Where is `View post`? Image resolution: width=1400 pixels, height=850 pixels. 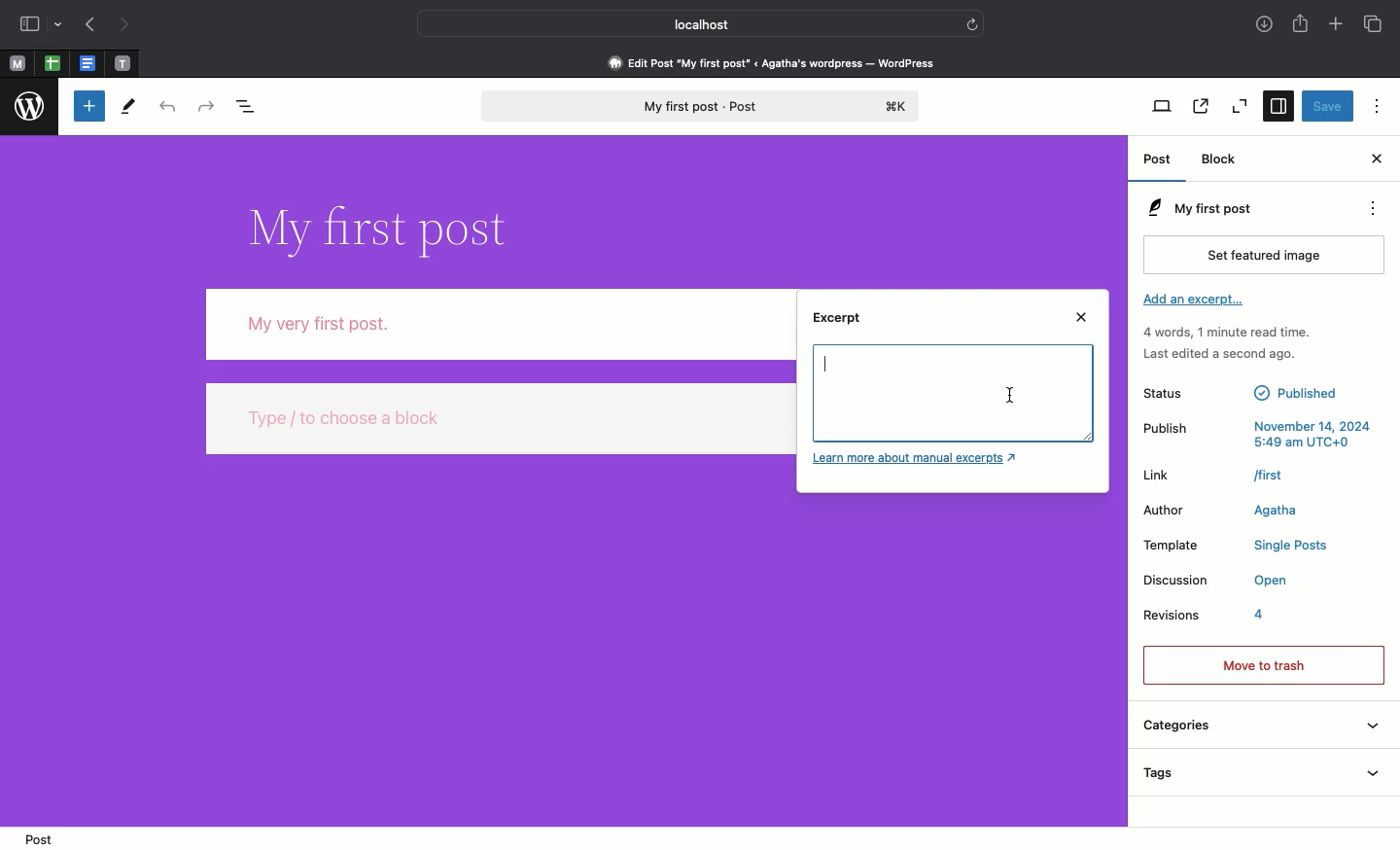 View post is located at coordinates (1199, 108).